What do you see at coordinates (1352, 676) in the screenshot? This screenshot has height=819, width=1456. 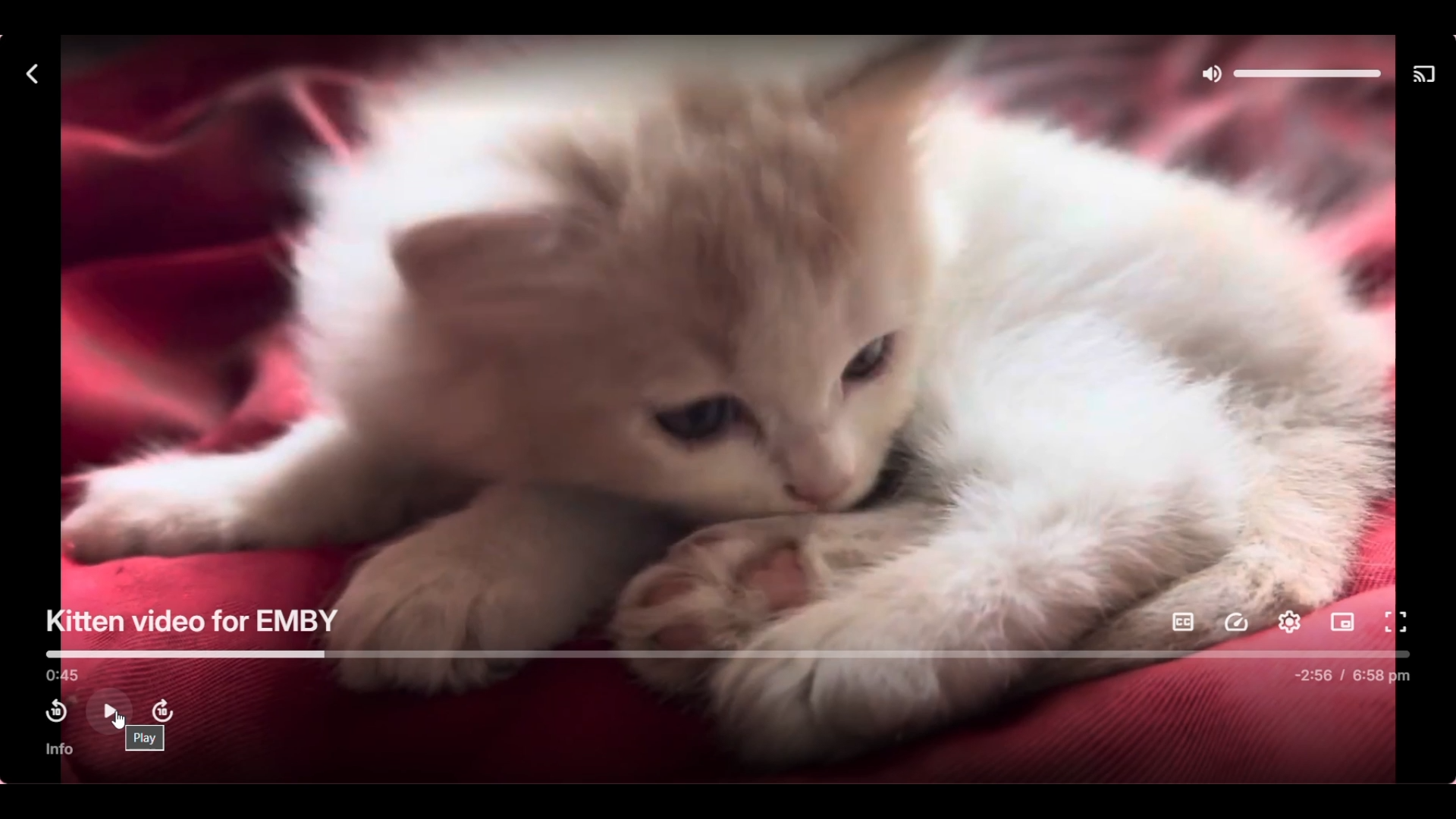 I see `-2:58/6:58 pm` at bounding box center [1352, 676].